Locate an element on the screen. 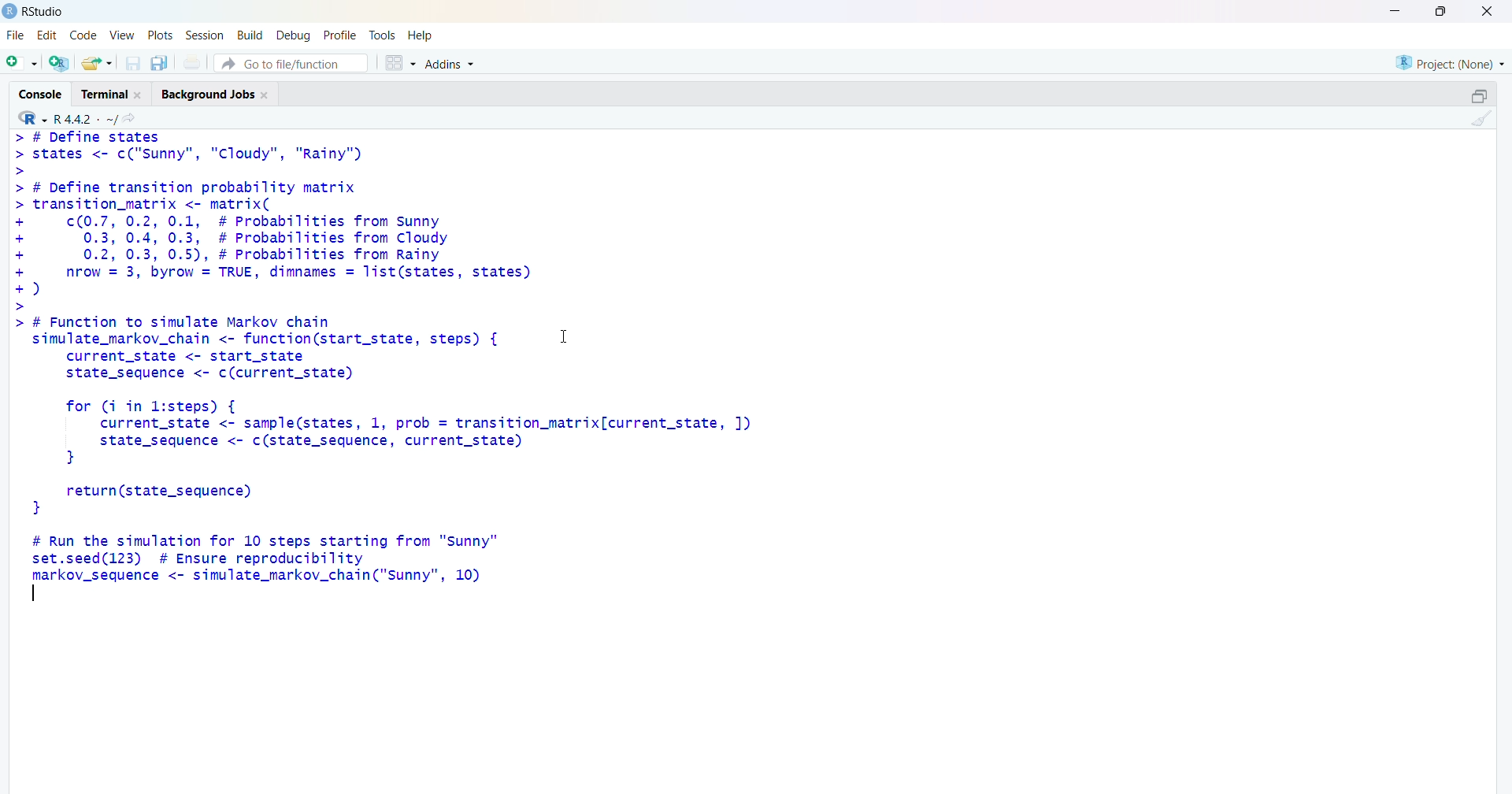  addins is located at coordinates (453, 64).